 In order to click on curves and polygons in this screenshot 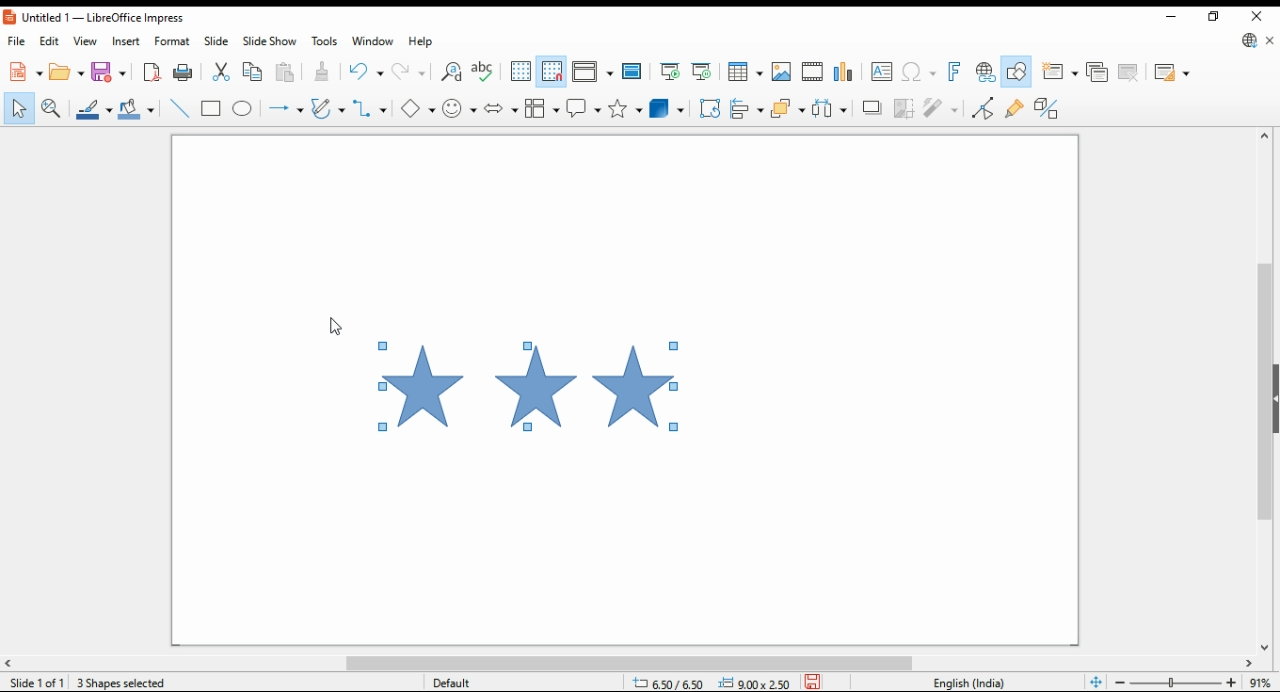, I will do `click(328, 107)`.